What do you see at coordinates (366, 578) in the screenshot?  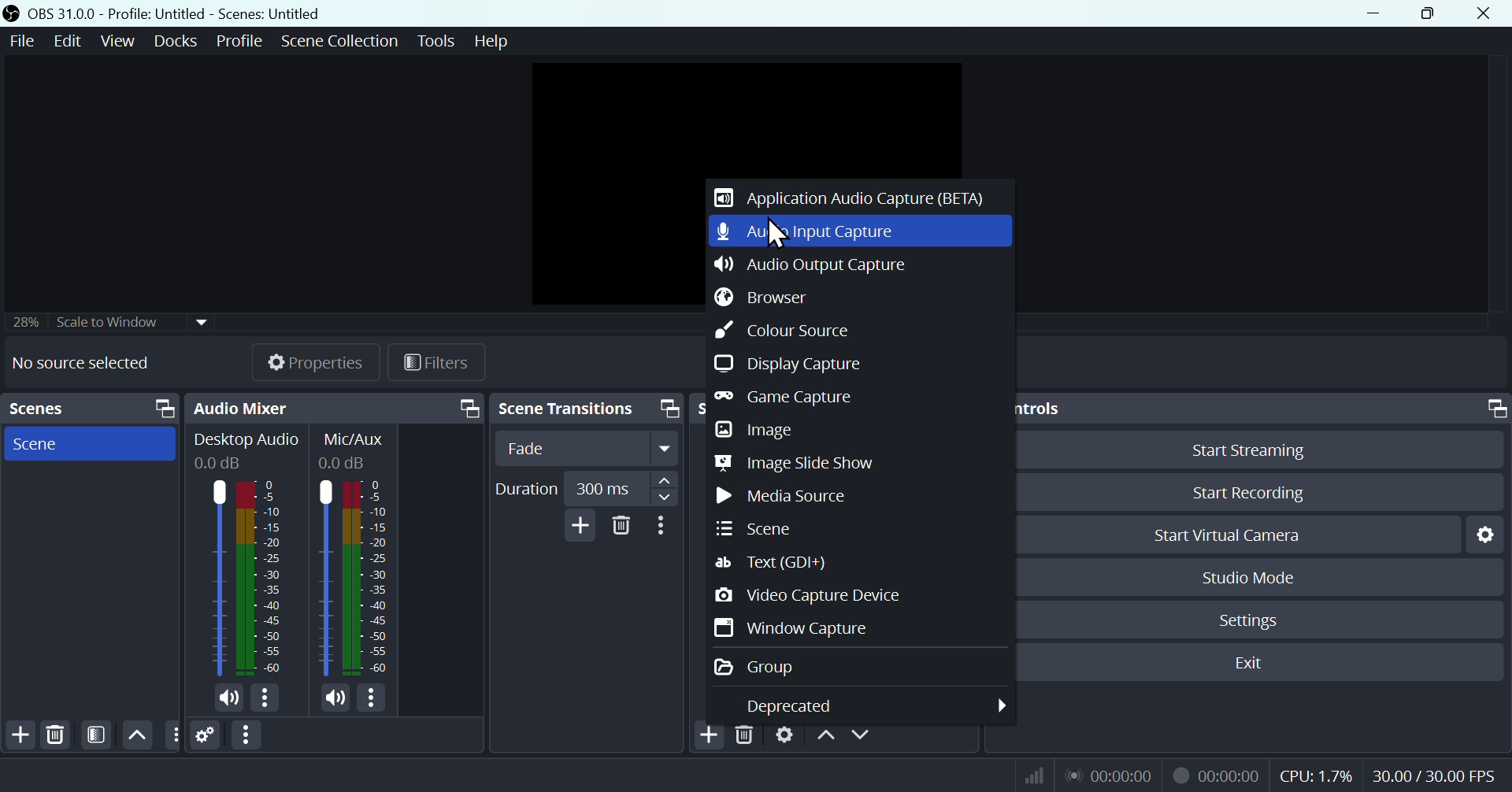 I see `Mic/Aux` at bounding box center [366, 578].